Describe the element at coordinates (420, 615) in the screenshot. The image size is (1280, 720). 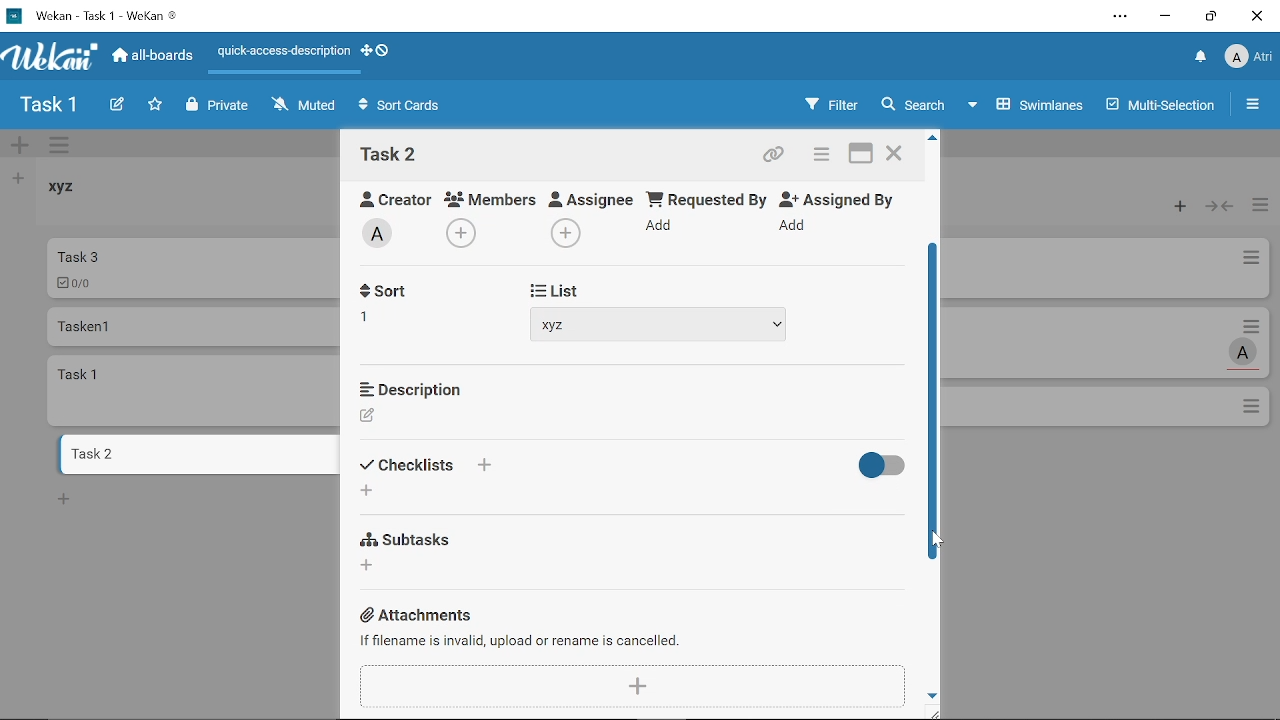
I see `Attachments` at that location.